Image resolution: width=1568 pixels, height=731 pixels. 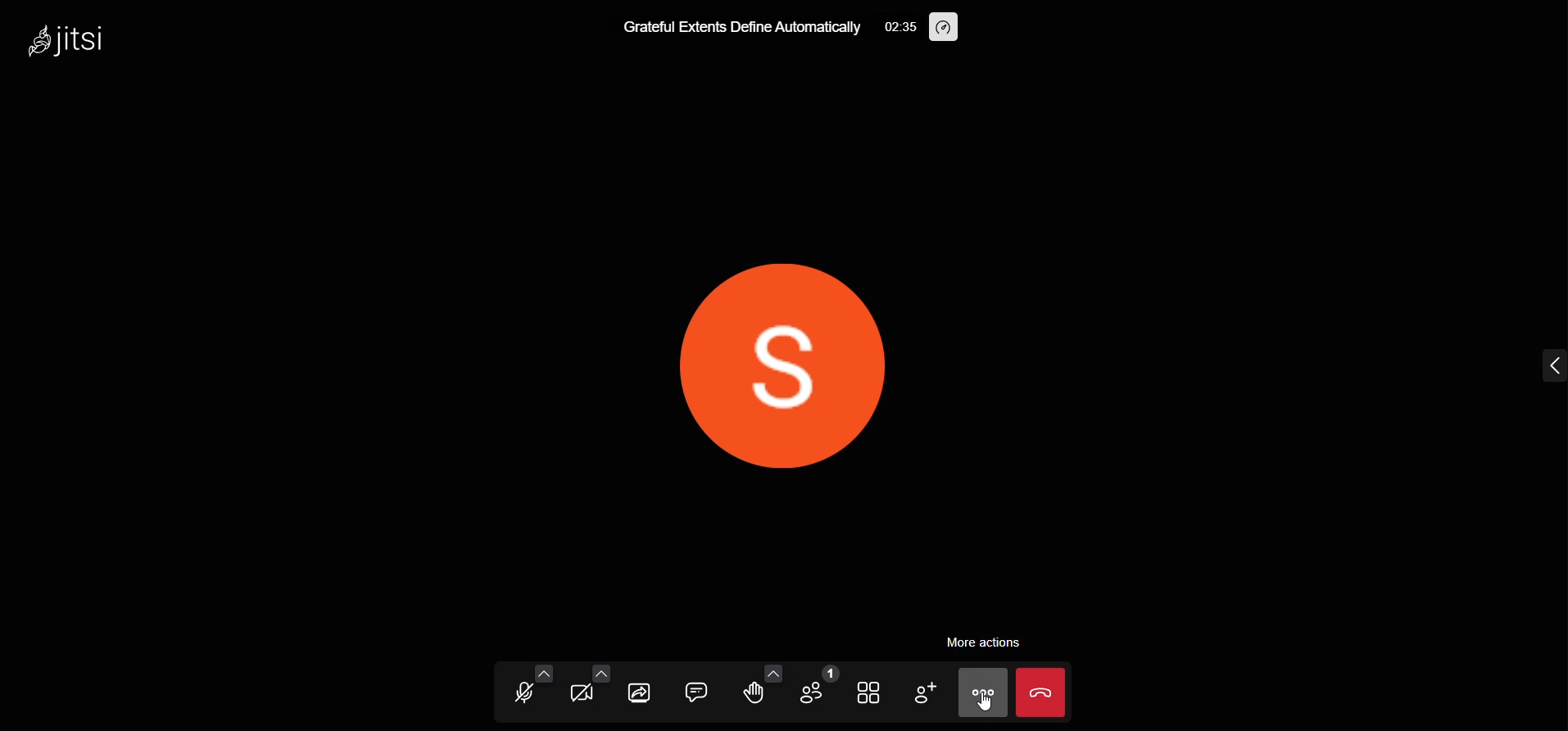 What do you see at coordinates (545, 675) in the screenshot?
I see `audio setting` at bounding box center [545, 675].